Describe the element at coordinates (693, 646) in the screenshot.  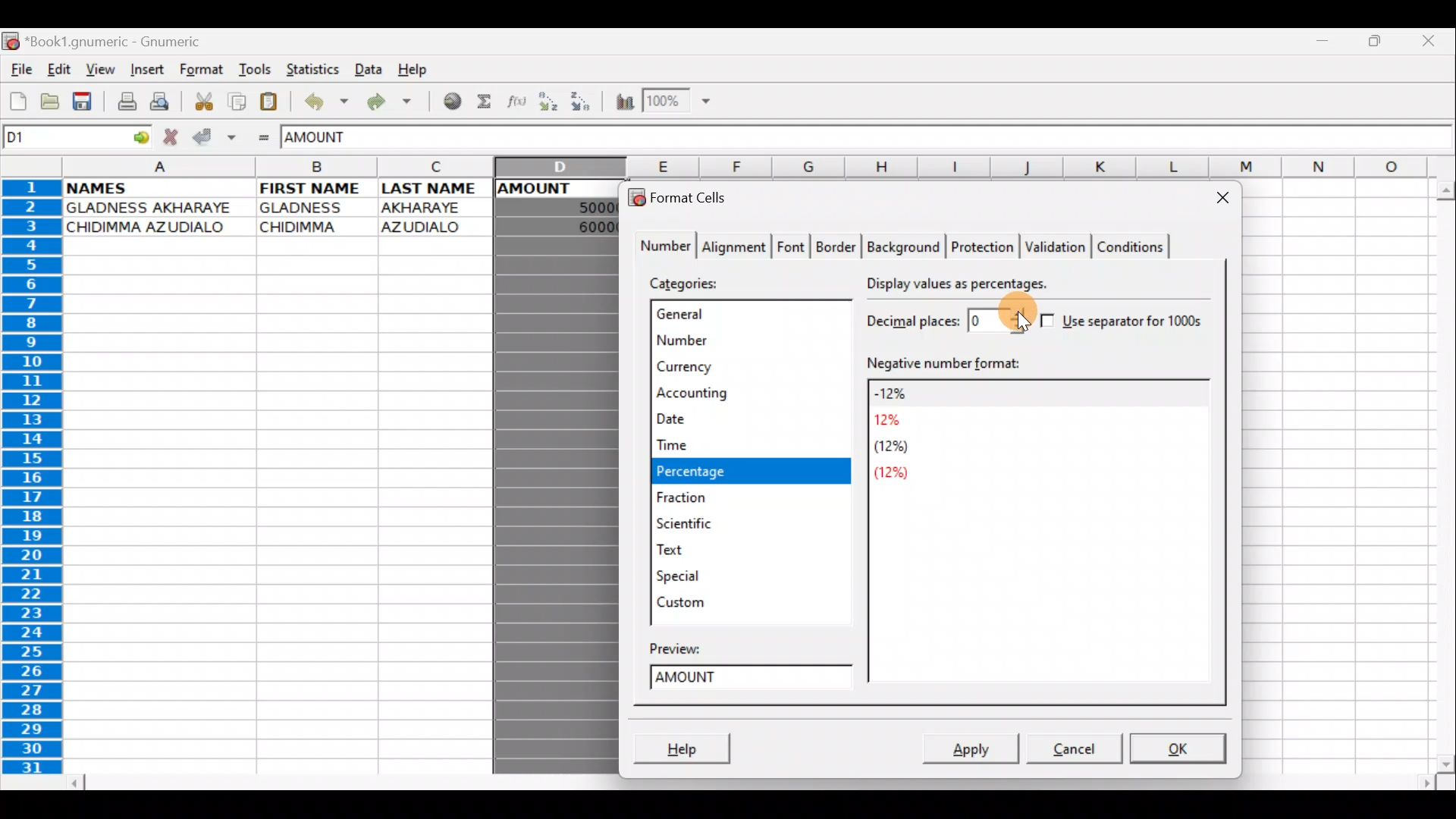
I see `Preview` at that location.